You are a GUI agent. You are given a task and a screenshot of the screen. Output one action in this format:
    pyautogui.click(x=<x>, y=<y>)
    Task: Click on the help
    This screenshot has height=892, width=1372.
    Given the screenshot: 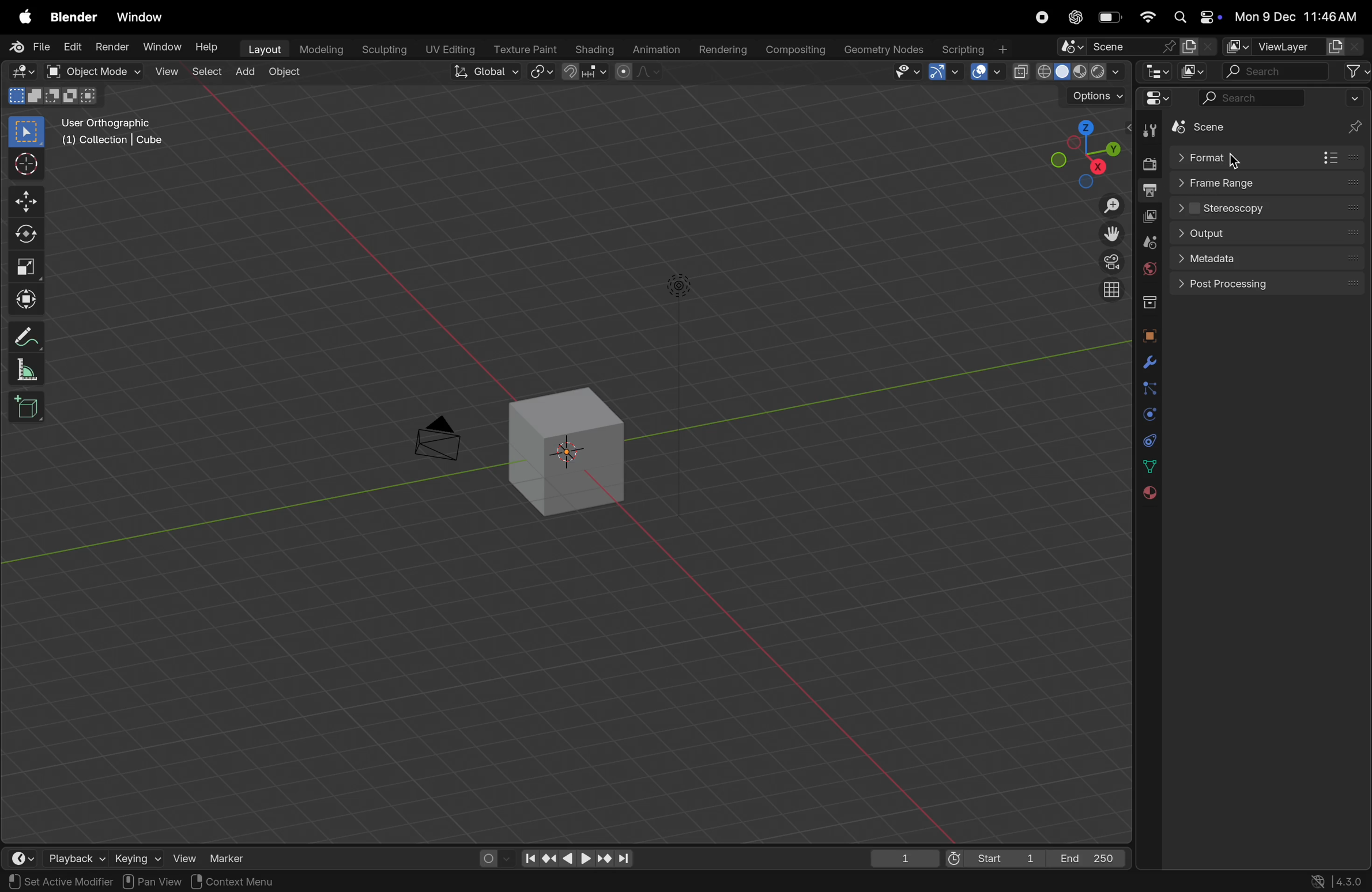 What is the action you would take?
    pyautogui.click(x=207, y=47)
    